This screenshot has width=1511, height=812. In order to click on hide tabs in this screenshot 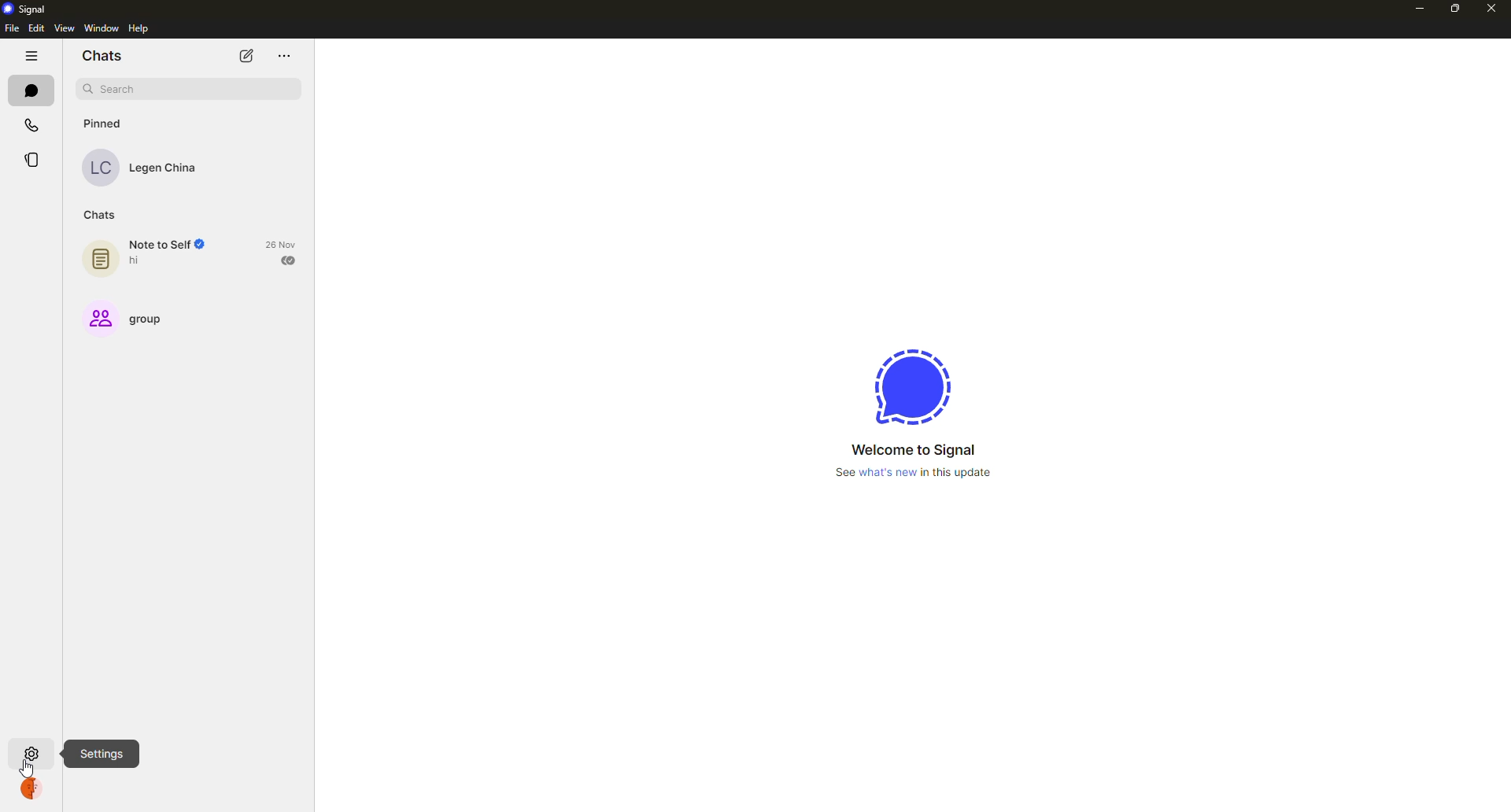, I will do `click(31, 57)`.